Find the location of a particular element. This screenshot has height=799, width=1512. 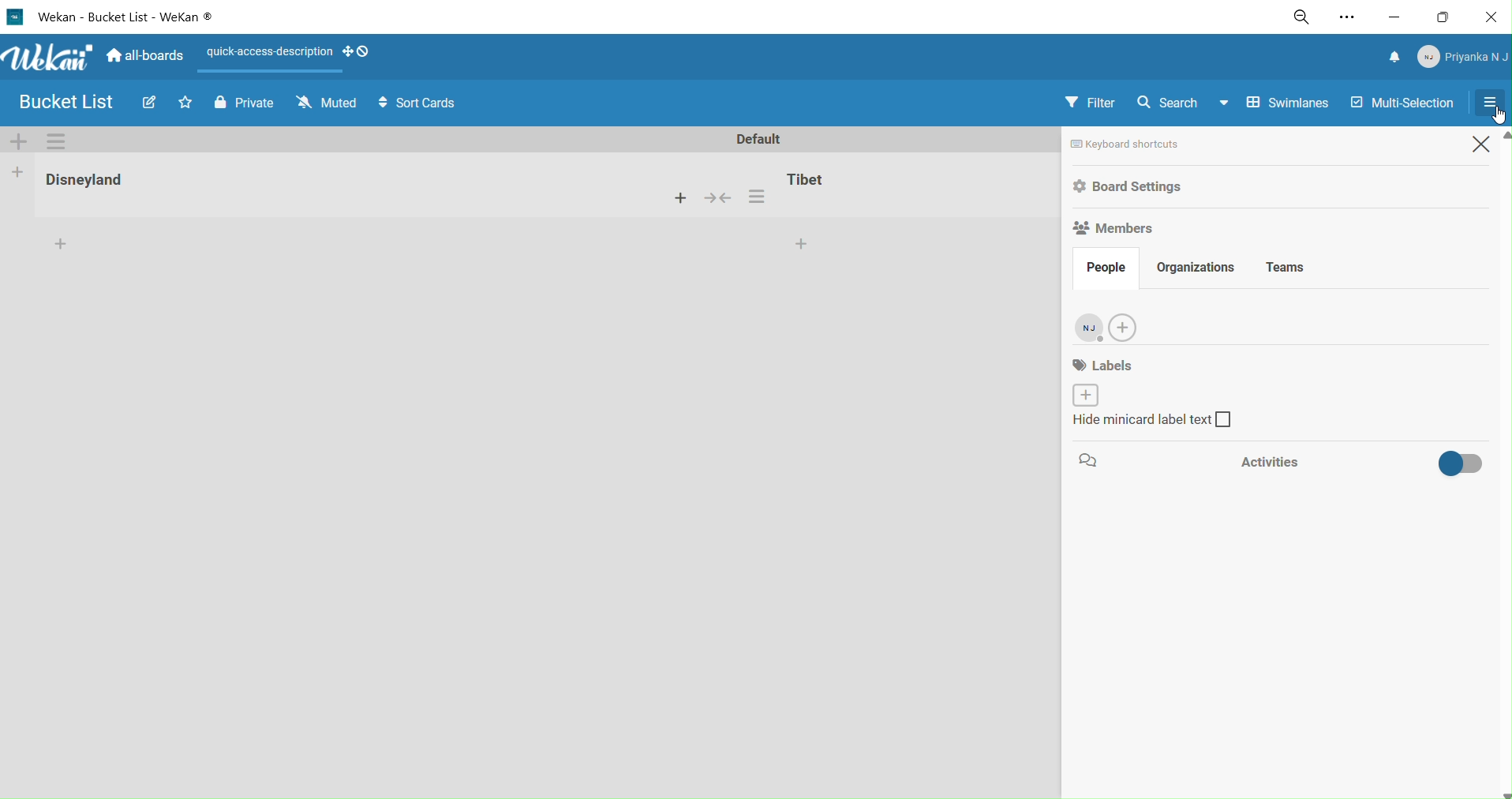

selecting open sidebar or close sidebar is located at coordinates (1492, 108).